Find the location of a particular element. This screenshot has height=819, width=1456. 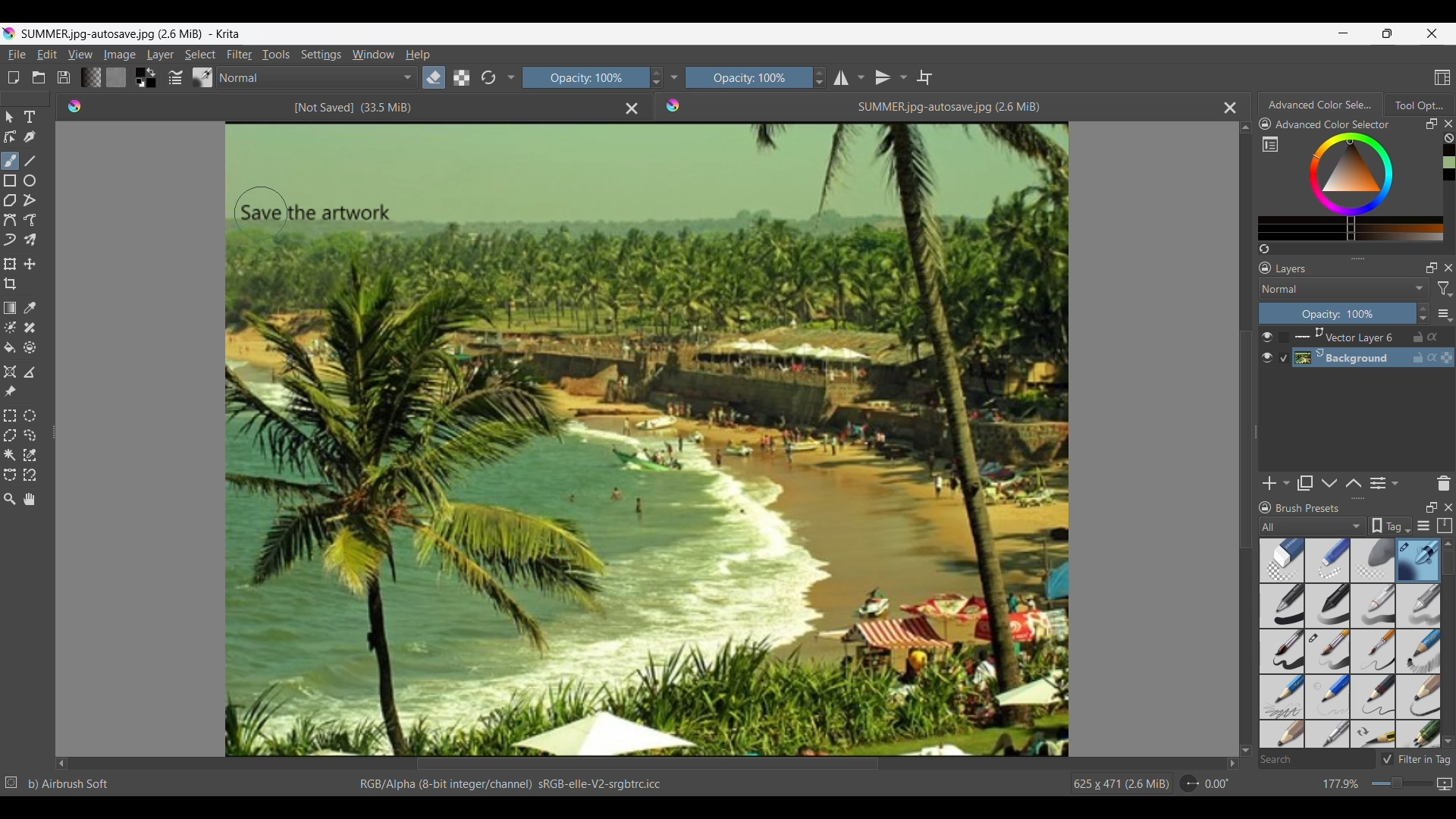

Freehand path tool is located at coordinates (30, 219).